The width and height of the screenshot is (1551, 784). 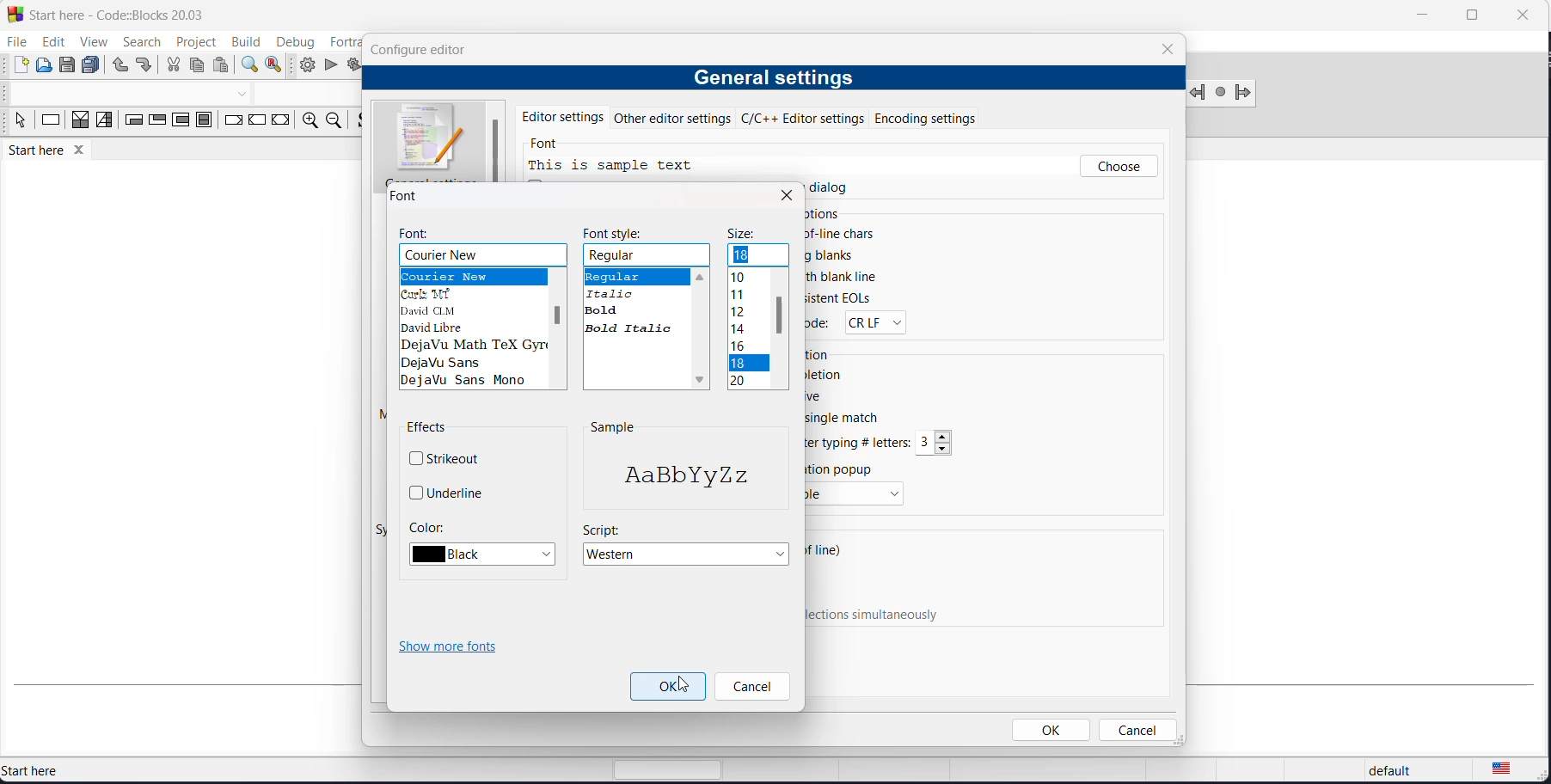 I want to click on sample text, so click(x=683, y=476).